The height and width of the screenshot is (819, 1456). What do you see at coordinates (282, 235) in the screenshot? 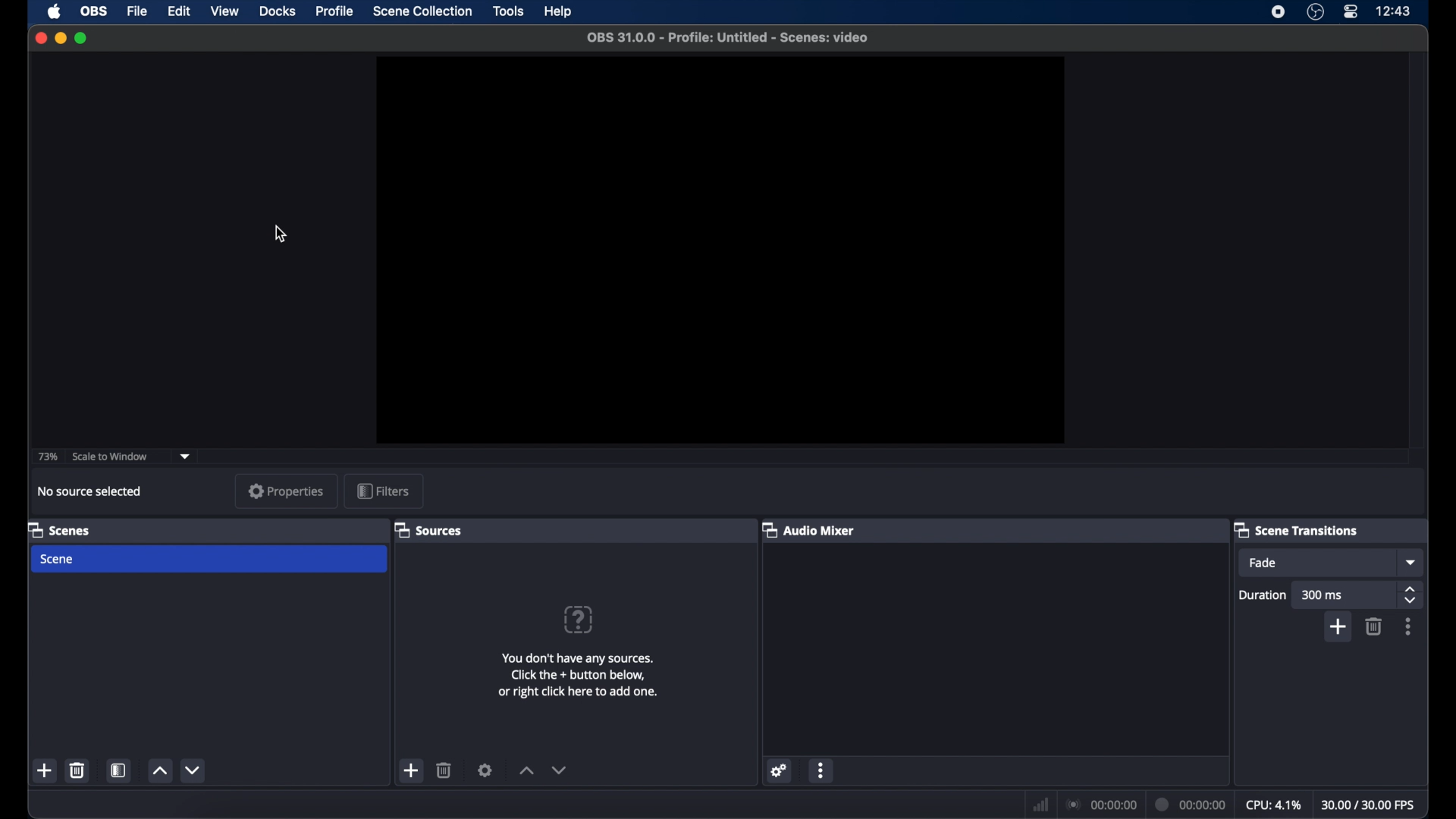
I see `cursor` at bounding box center [282, 235].